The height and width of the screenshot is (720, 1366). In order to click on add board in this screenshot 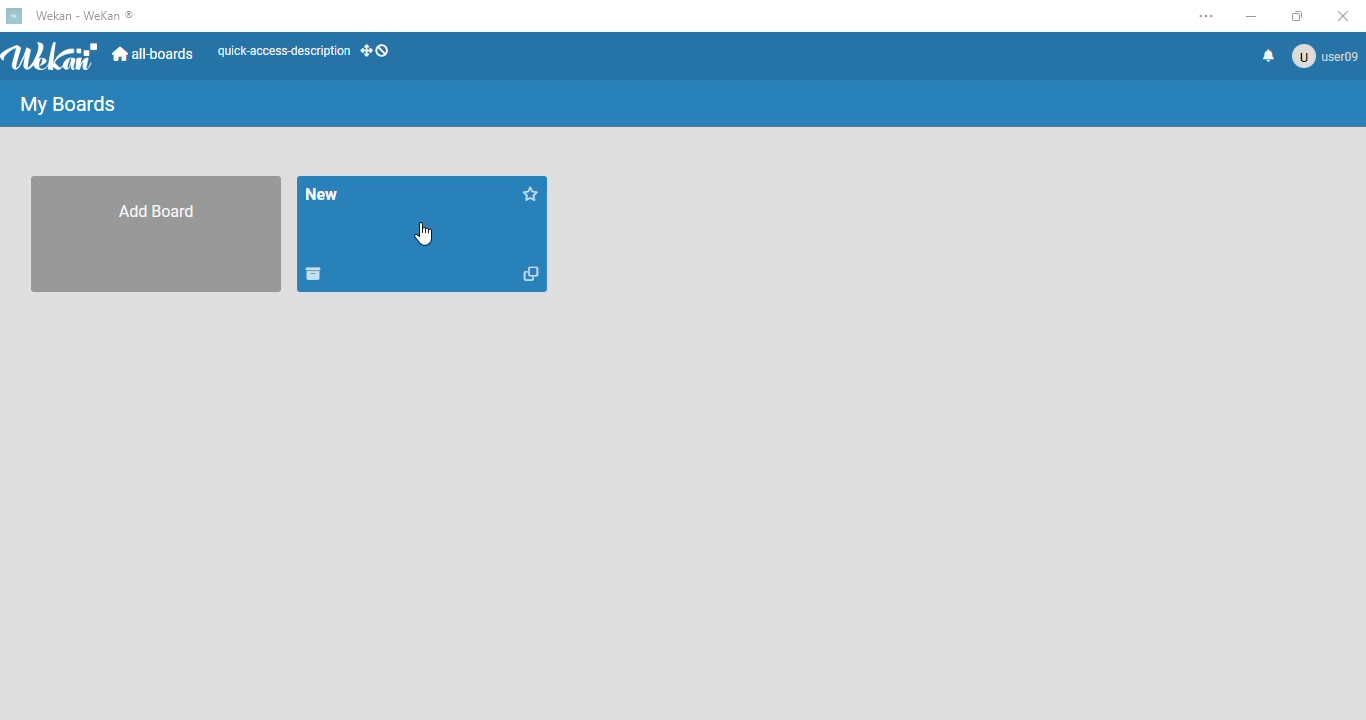, I will do `click(155, 235)`.